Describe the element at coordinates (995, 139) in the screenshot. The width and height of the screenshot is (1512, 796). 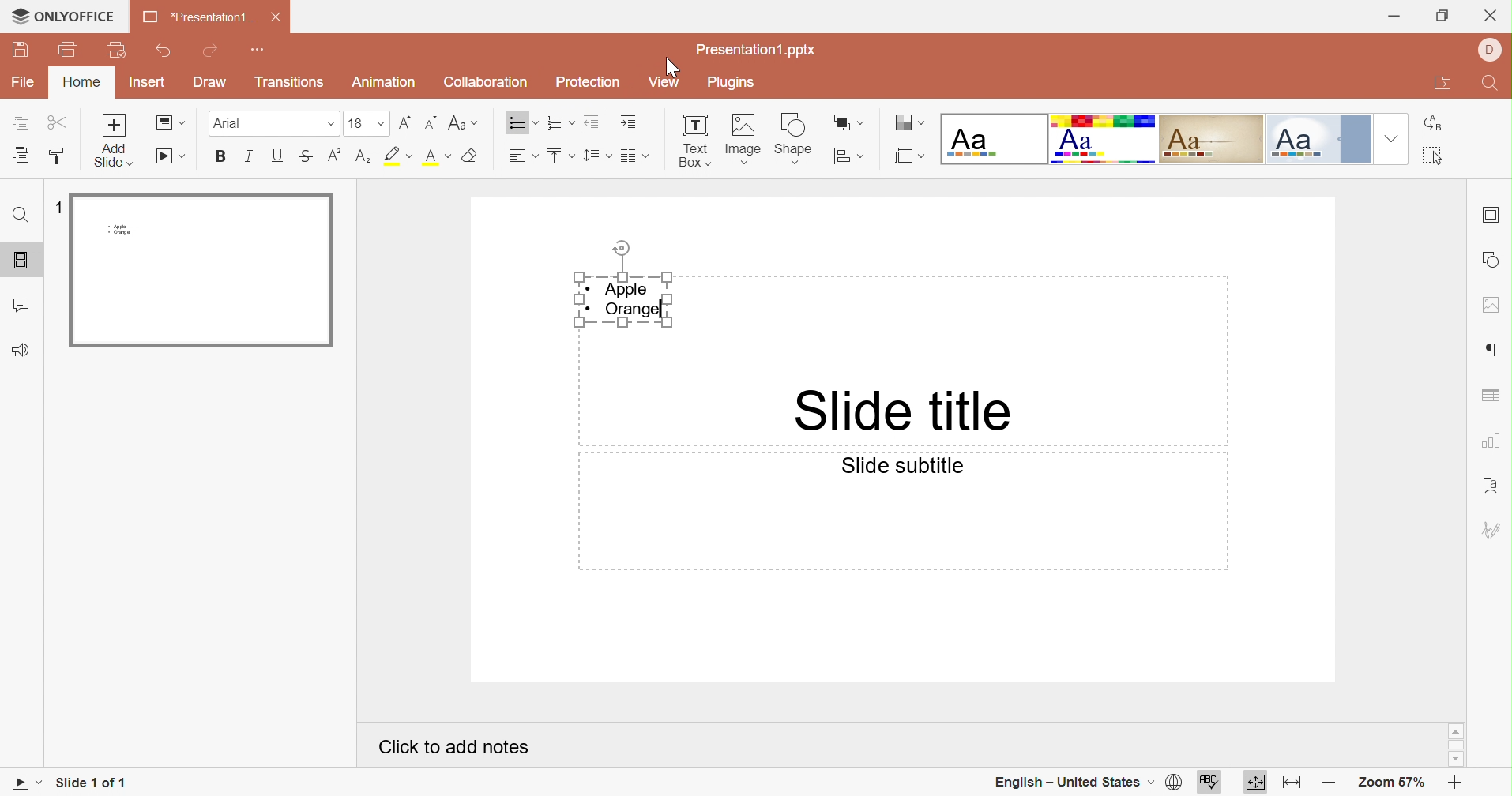
I see `Blank` at that location.